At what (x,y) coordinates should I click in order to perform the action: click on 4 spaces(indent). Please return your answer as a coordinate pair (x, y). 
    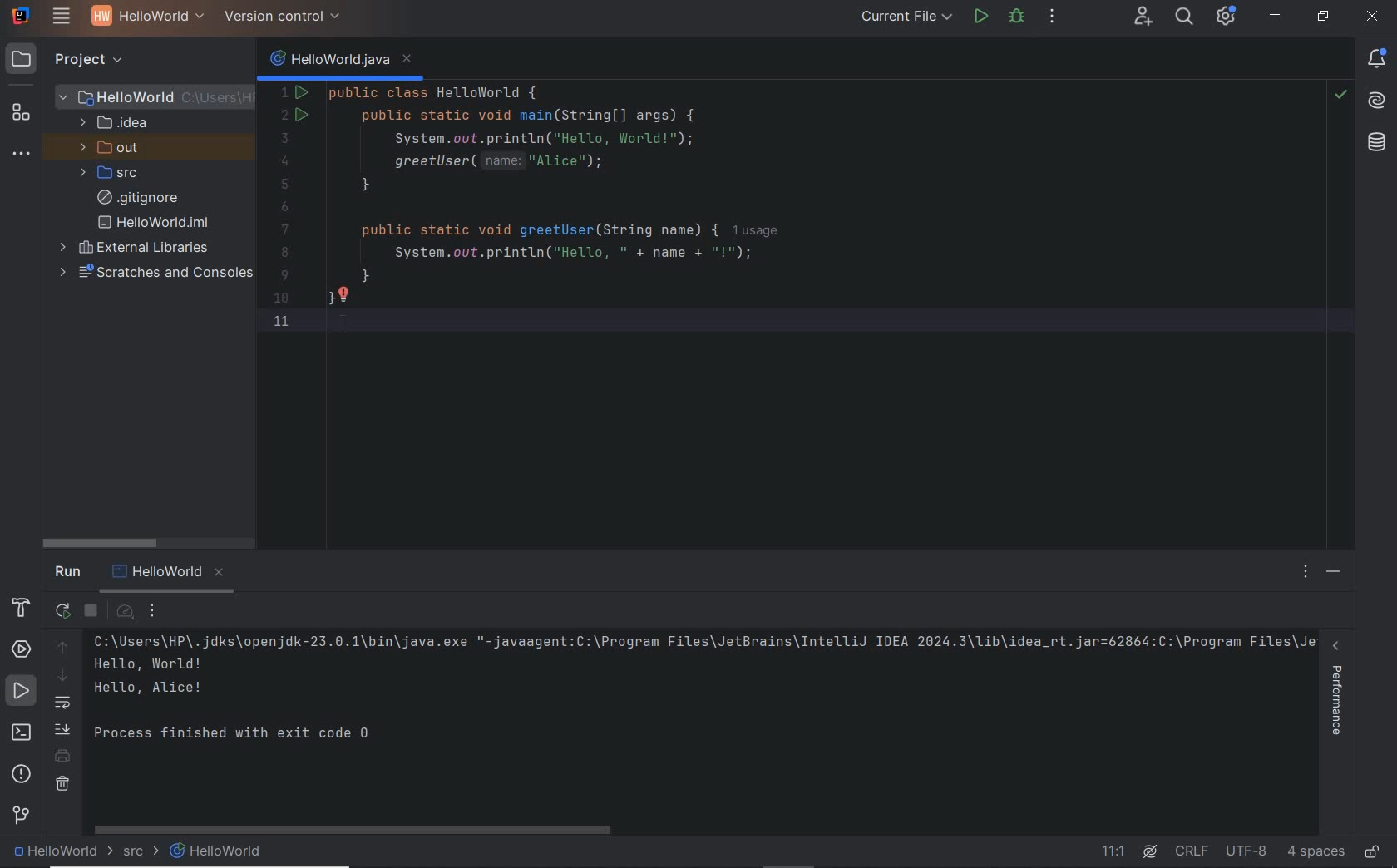
    Looking at the image, I should click on (1316, 851).